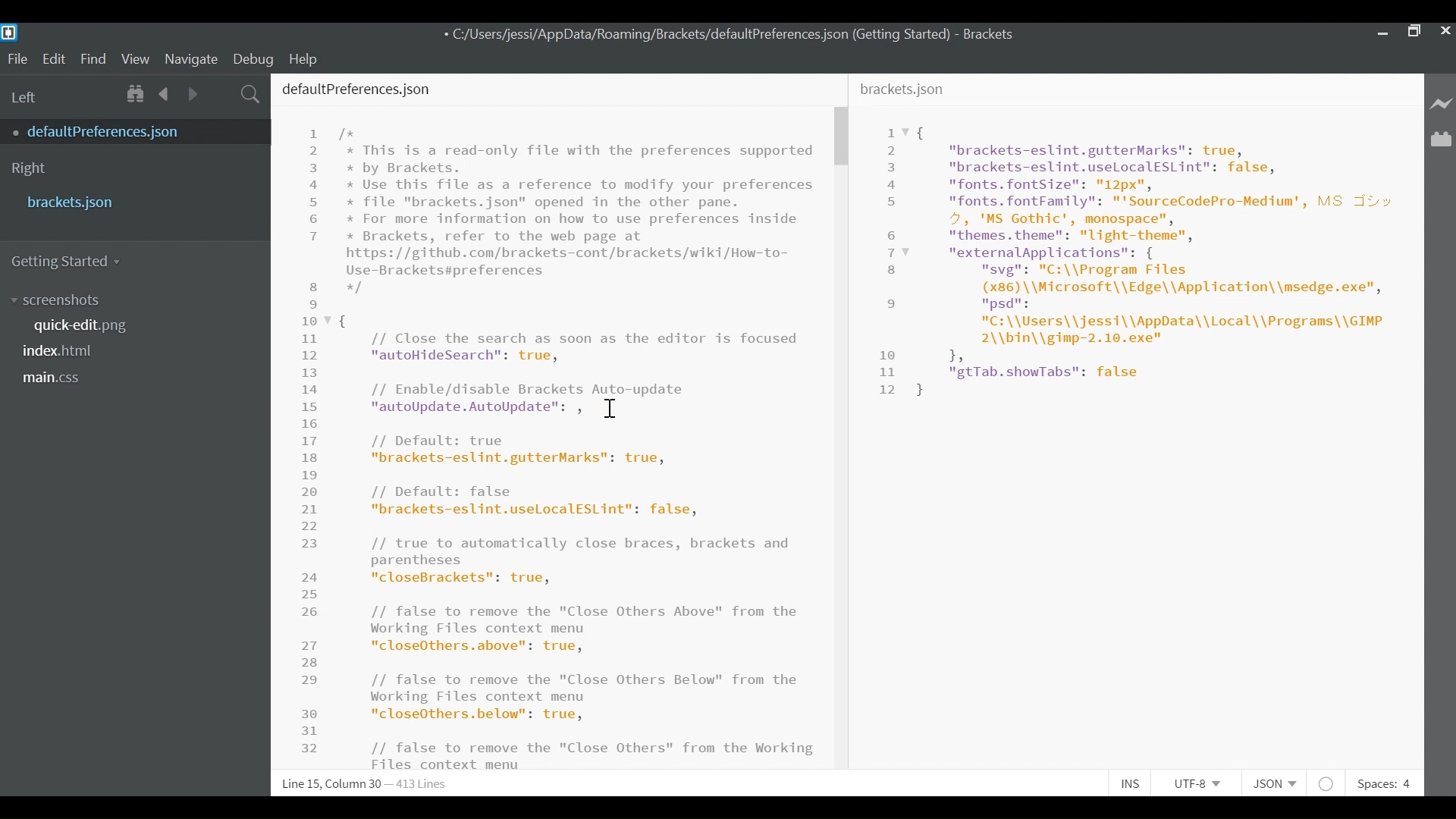  What do you see at coordinates (610, 409) in the screenshot?
I see `cursor` at bounding box center [610, 409].